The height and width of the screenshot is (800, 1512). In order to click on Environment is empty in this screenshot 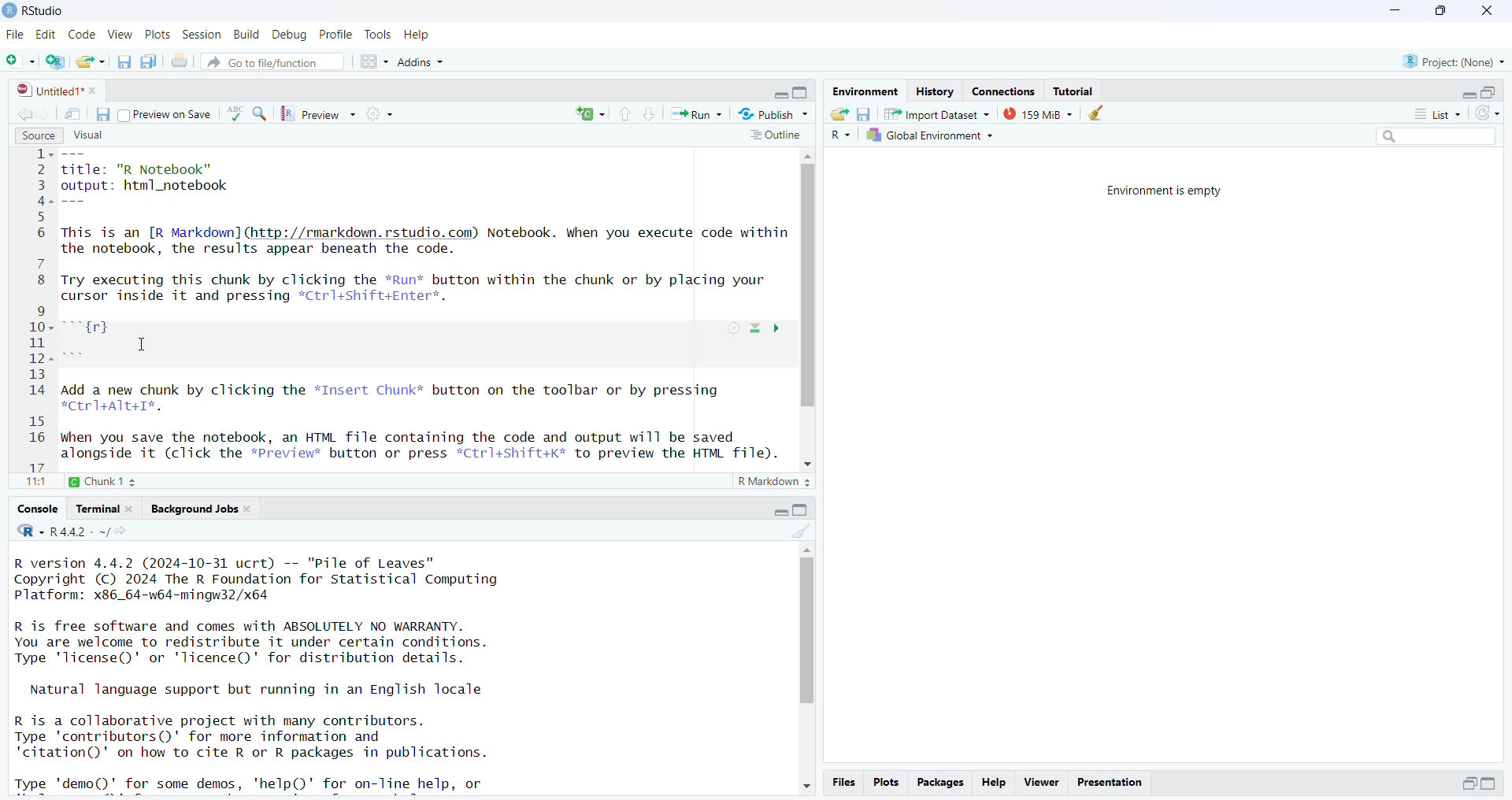, I will do `click(1169, 191)`.